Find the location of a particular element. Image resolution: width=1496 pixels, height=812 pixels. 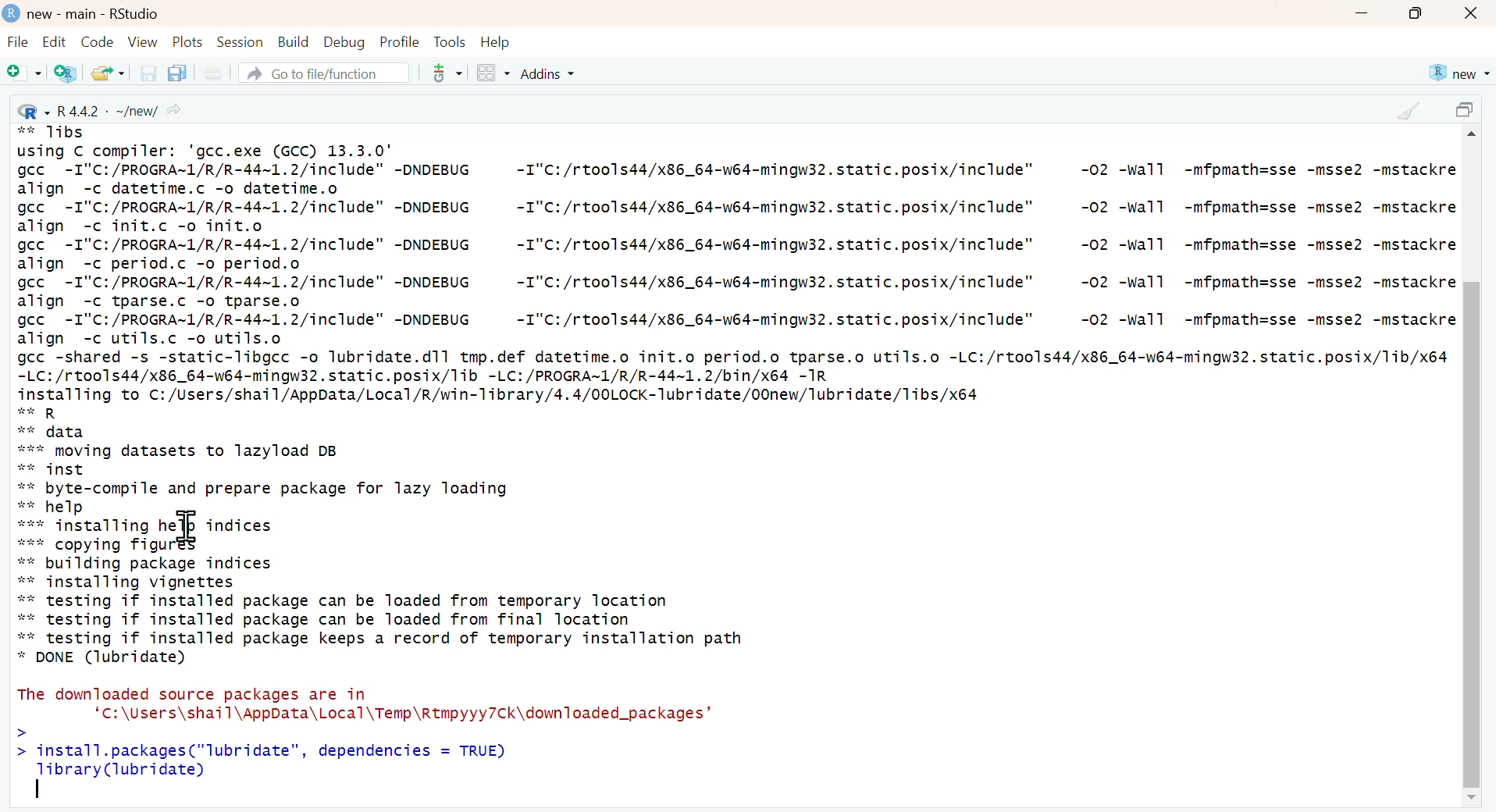

Create a project is located at coordinates (67, 73).